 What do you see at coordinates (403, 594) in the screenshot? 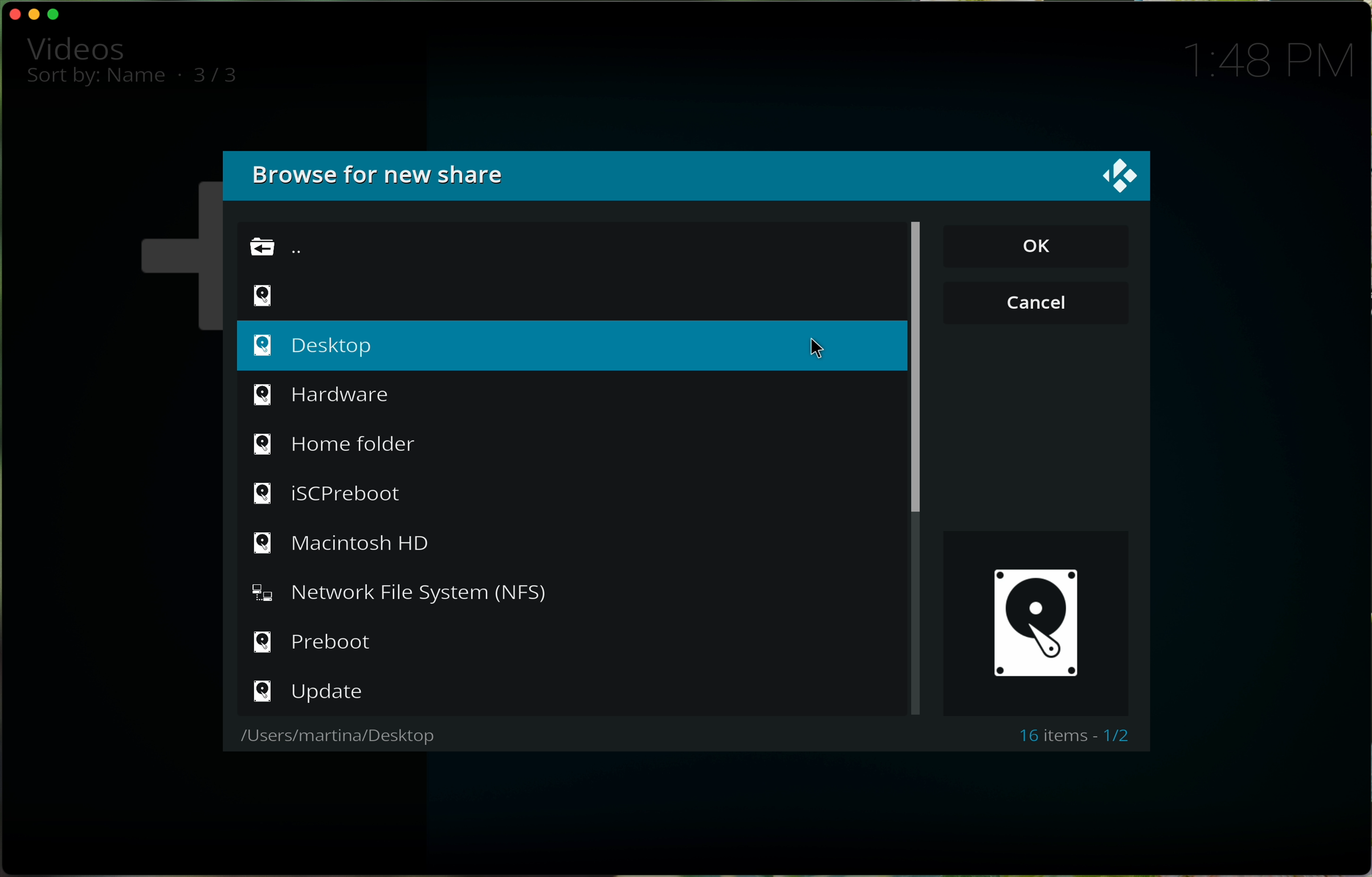
I see `Network File System (NFS)` at bounding box center [403, 594].